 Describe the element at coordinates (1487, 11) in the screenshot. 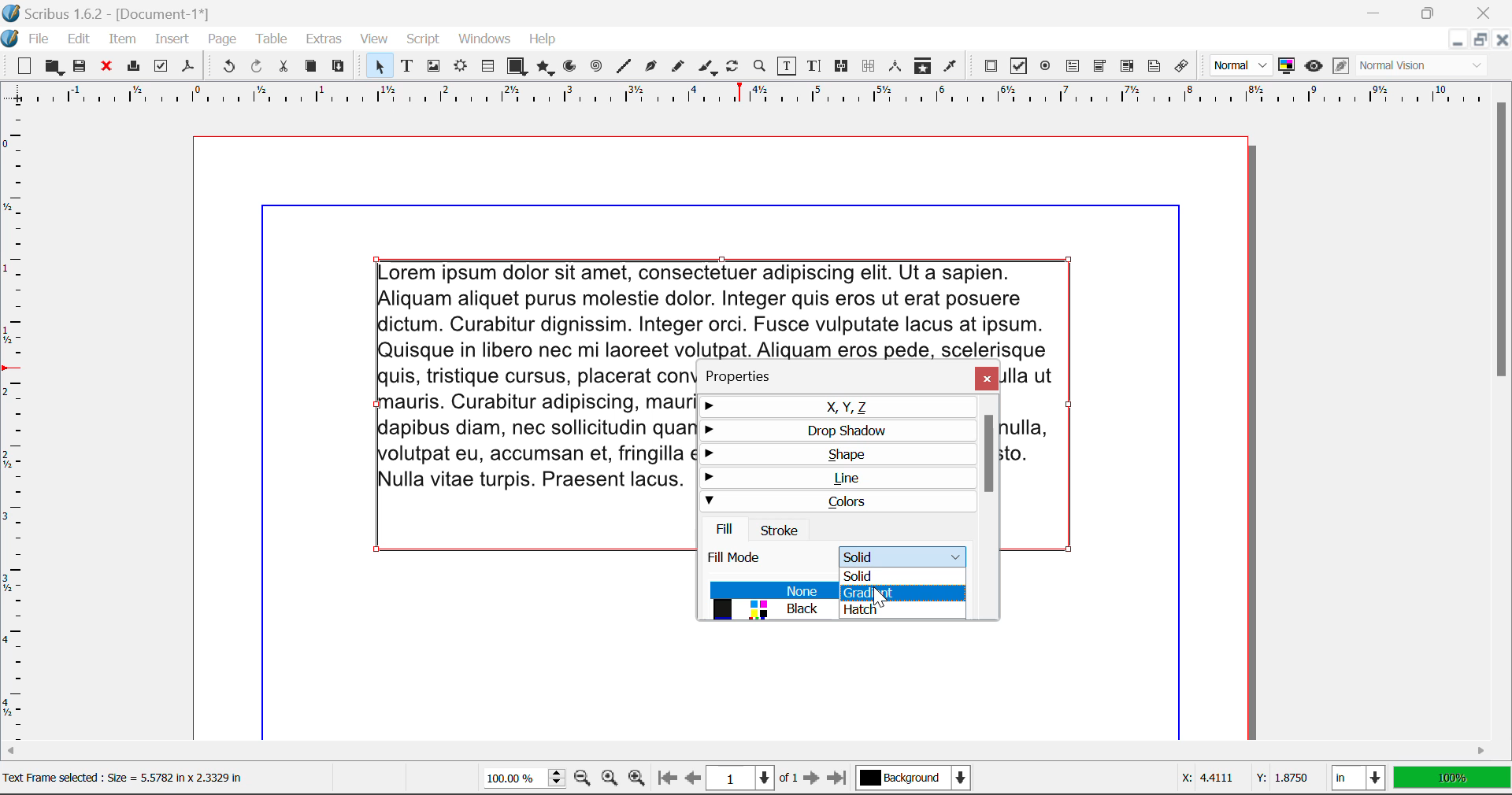

I see `Close` at that location.